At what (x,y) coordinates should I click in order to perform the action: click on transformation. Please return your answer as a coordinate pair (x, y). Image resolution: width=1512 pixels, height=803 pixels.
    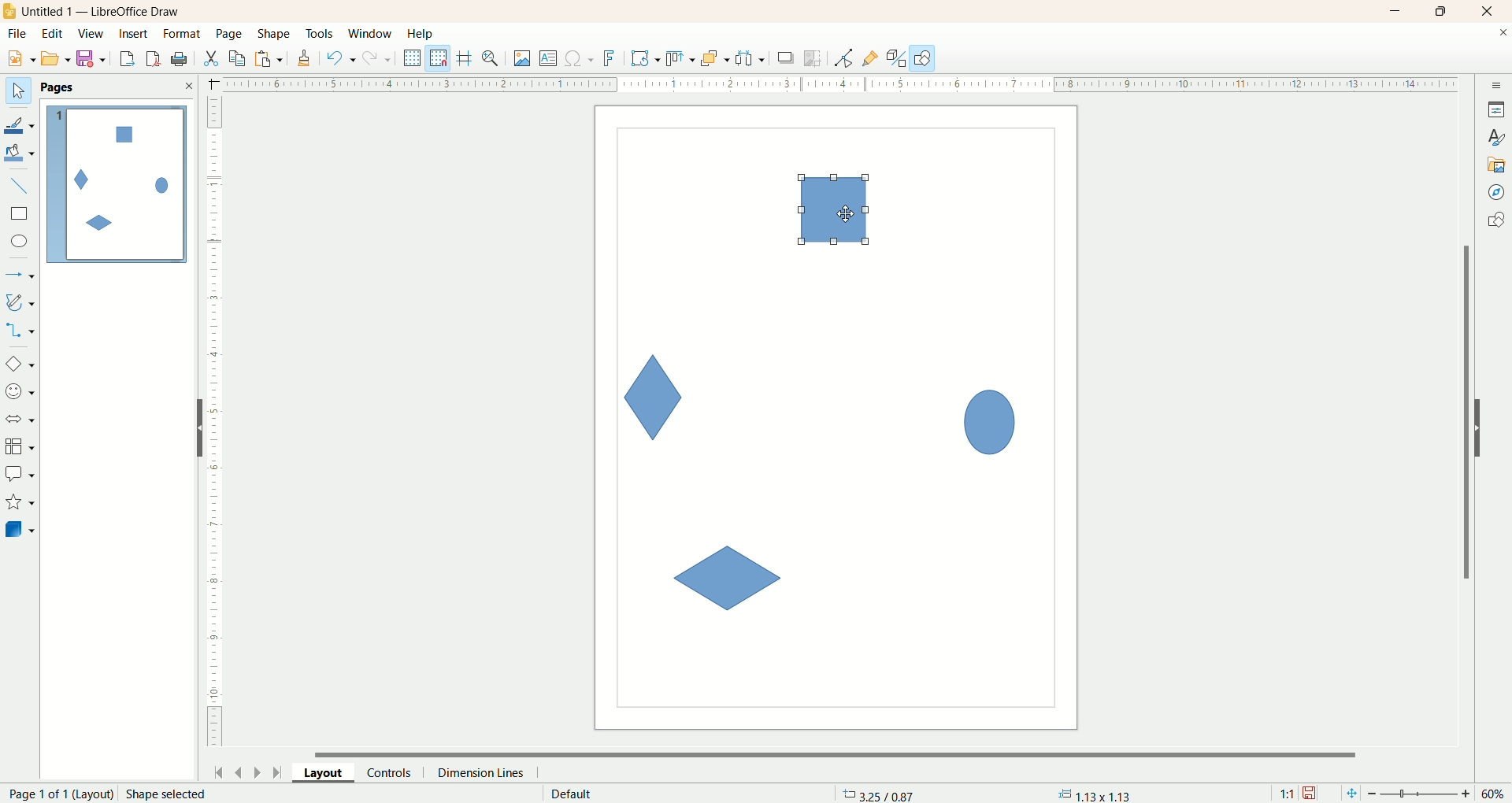
    Looking at the image, I should click on (646, 59).